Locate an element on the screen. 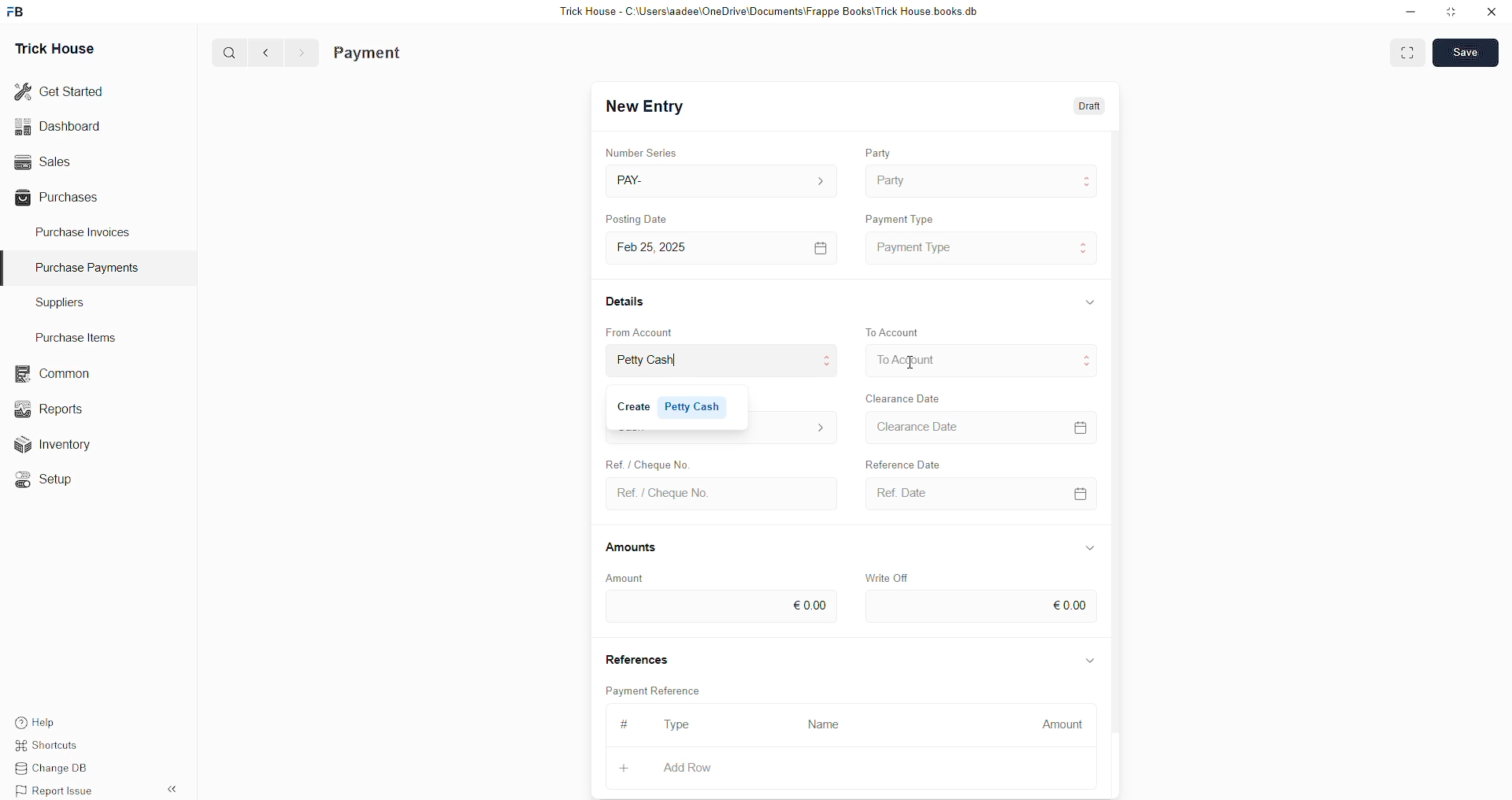 This screenshot has width=1512, height=800.  Get Started is located at coordinates (60, 90).